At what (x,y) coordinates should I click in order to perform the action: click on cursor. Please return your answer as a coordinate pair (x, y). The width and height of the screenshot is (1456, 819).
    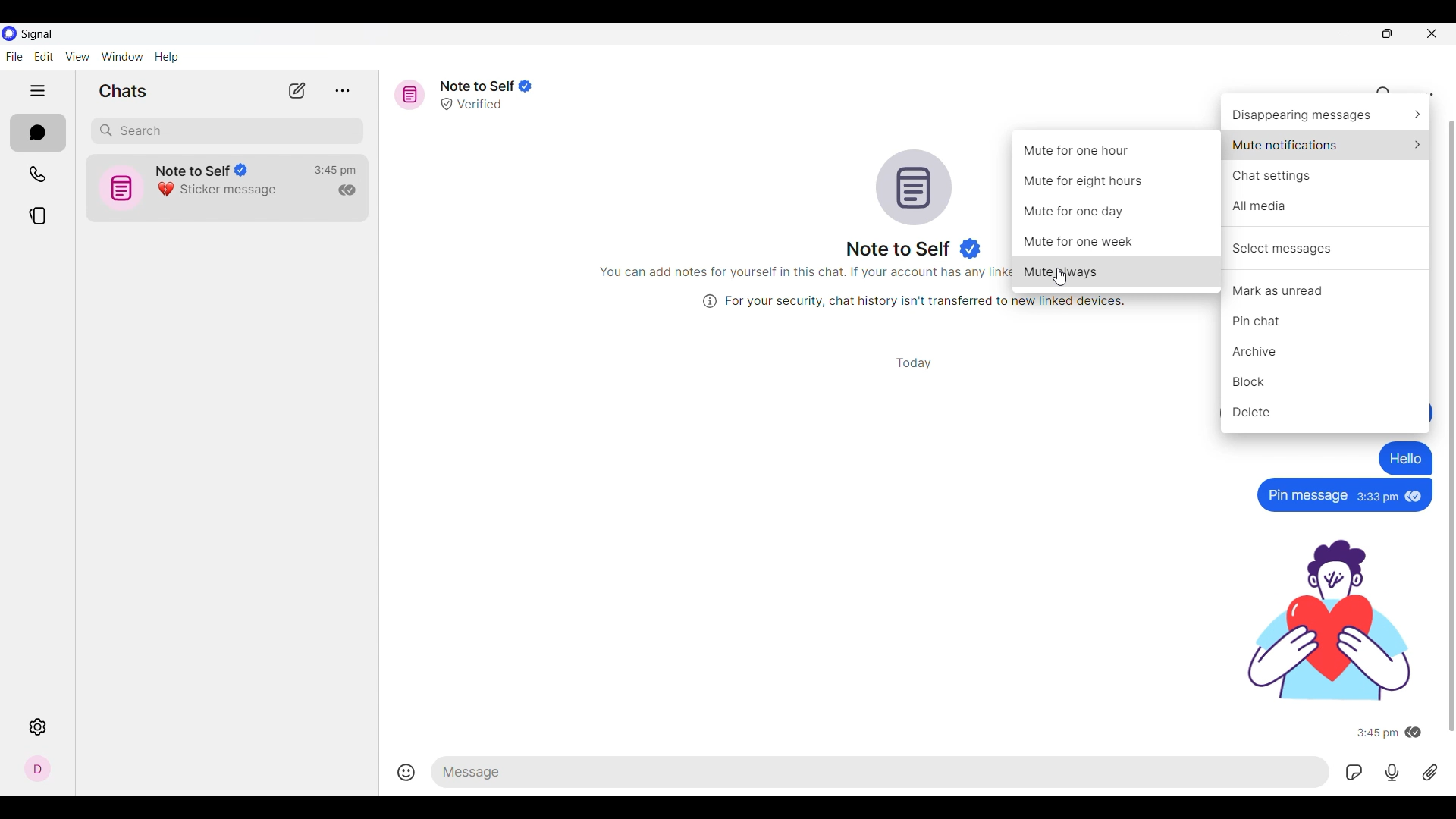
    Looking at the image, I should click on (1062, 278).